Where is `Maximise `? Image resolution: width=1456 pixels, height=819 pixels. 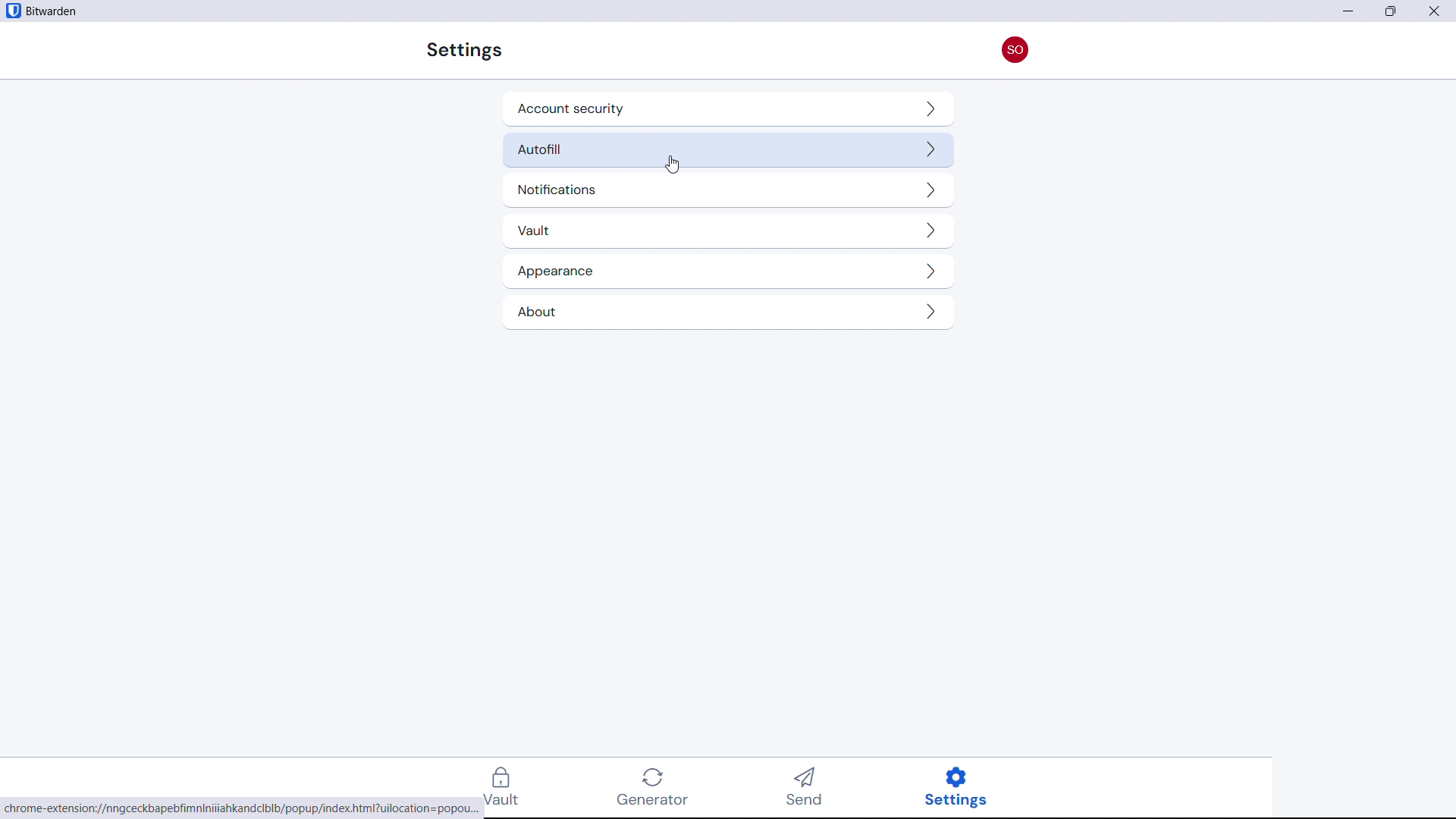
Maximise  is located at coordinates (1392, 11).